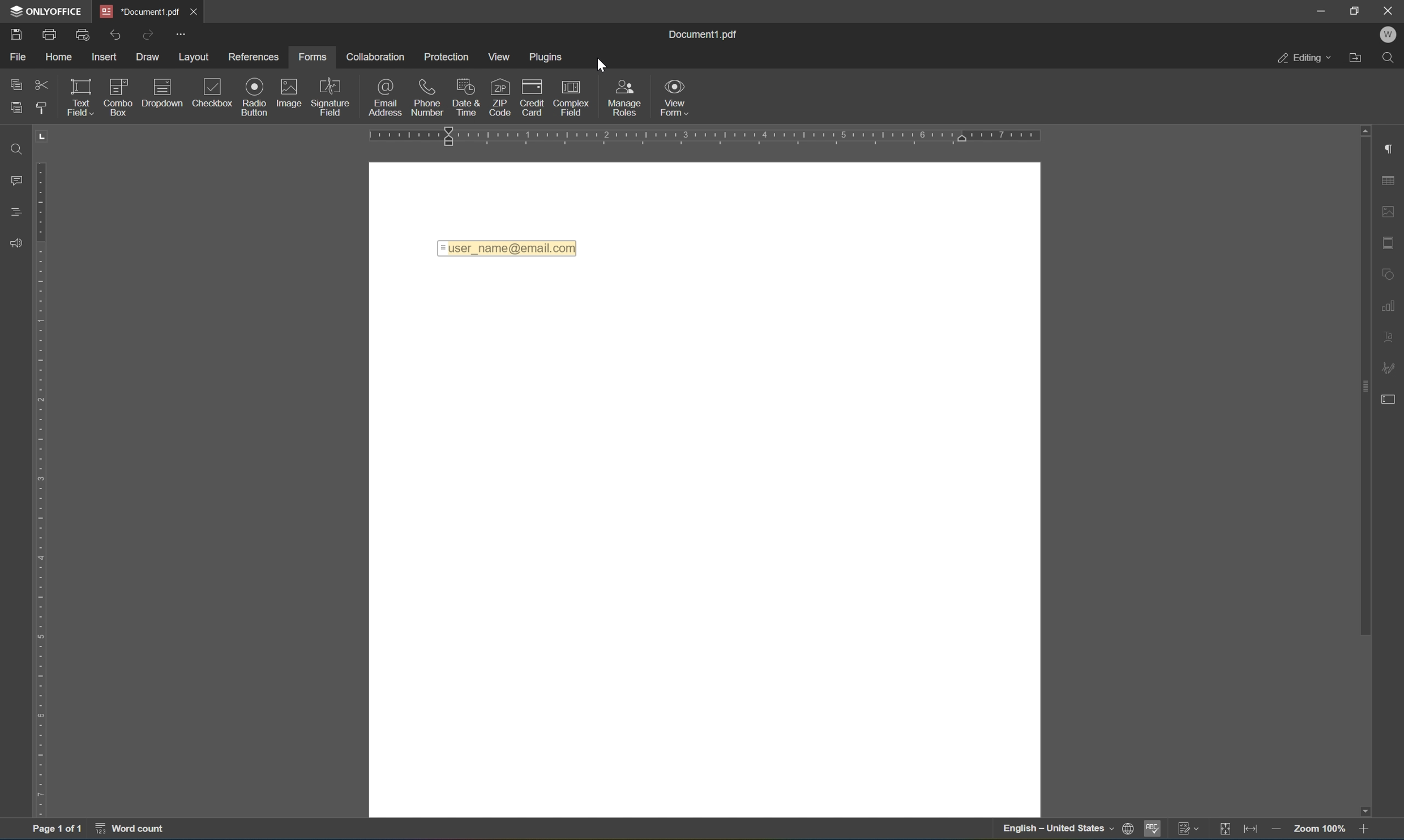 The image size is (1404, 840). I want to click on print, so click(52, 35).